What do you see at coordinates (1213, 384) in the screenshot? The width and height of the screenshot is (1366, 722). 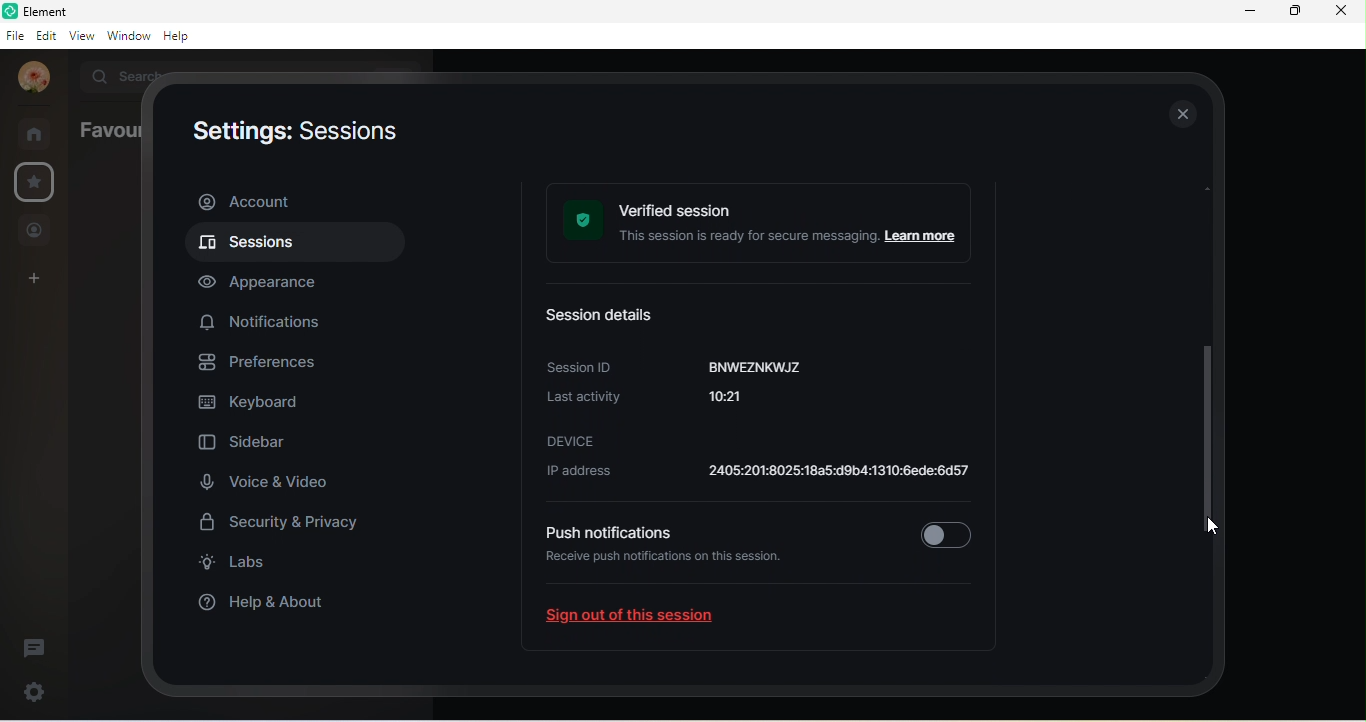 I see `vertical scroll bar` at bounding box center [1213, 384].